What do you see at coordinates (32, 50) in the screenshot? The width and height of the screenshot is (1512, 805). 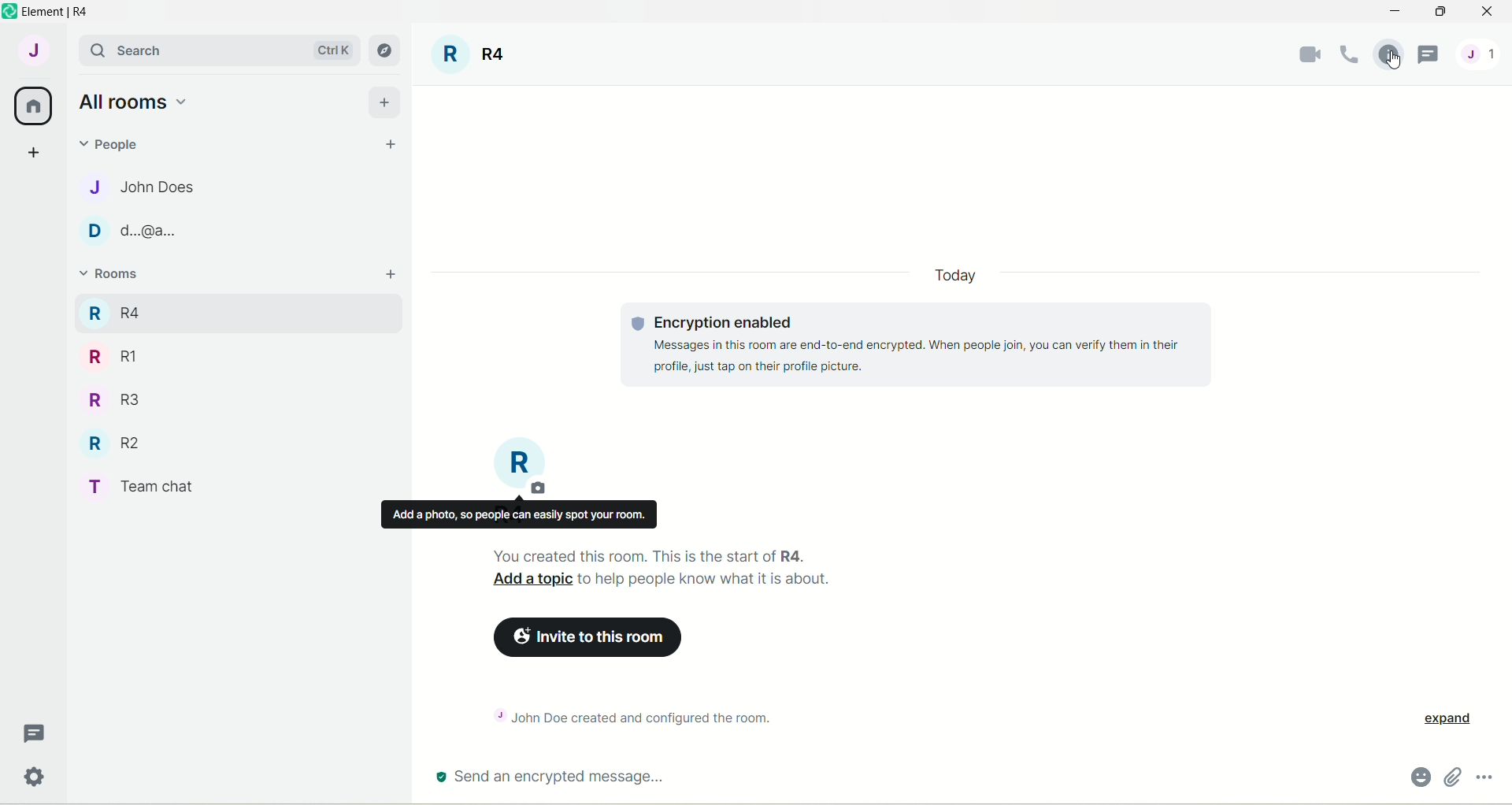 I see `account` at bounding box center [32, 50].